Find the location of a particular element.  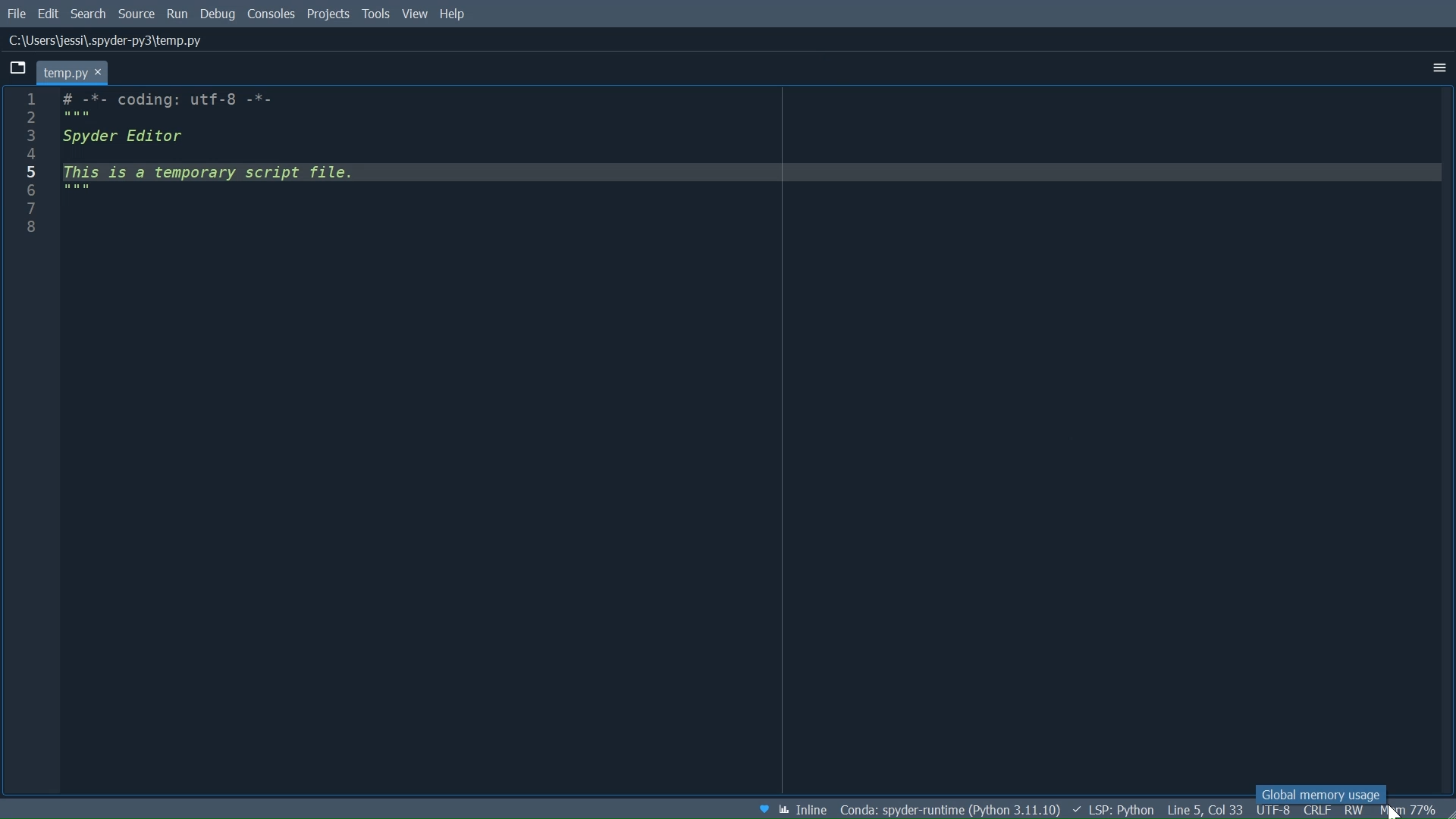

File Path is located at coordinates (111, 41).